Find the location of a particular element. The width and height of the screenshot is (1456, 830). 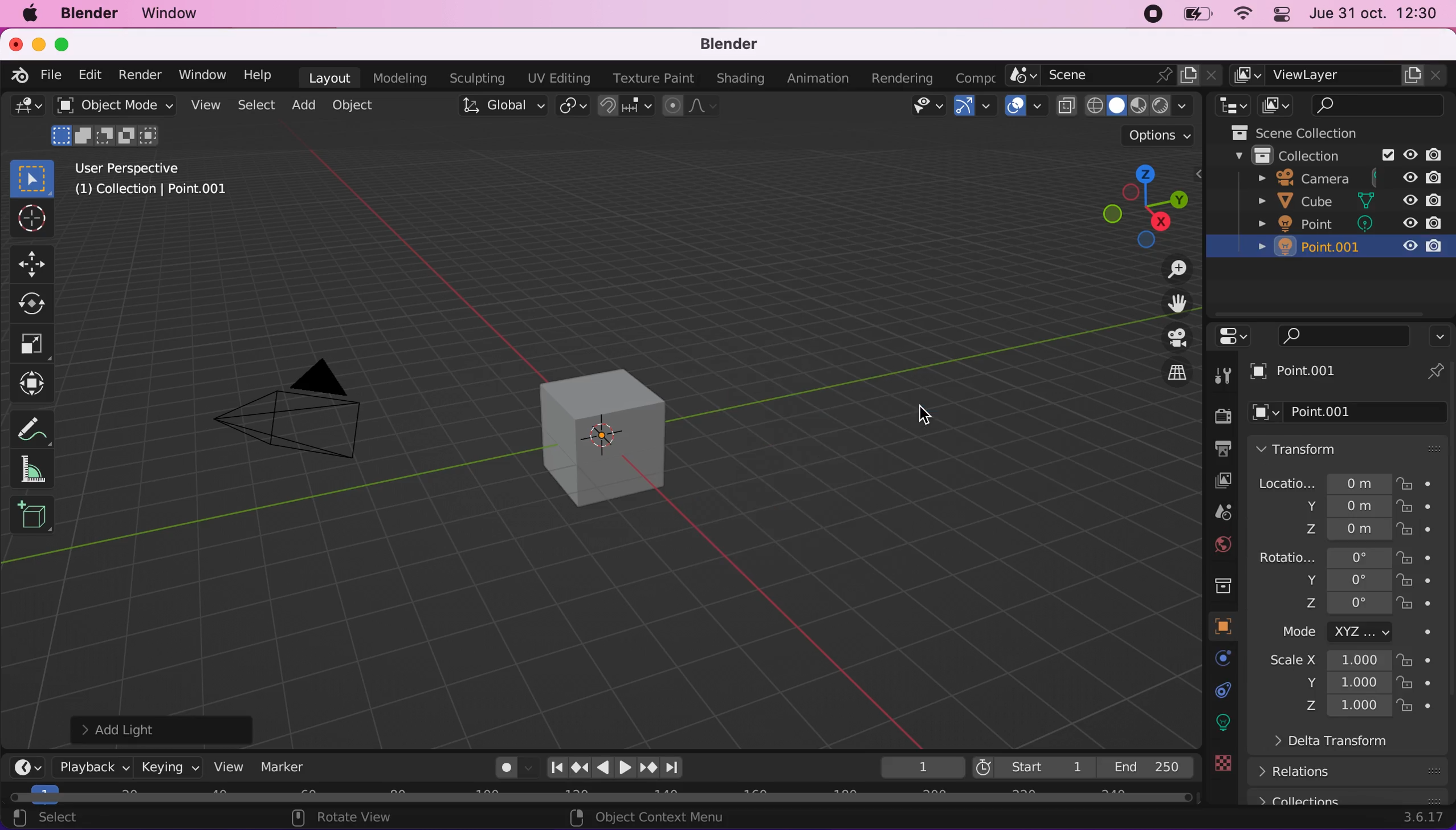

select box is located at coordinates (37, 176).